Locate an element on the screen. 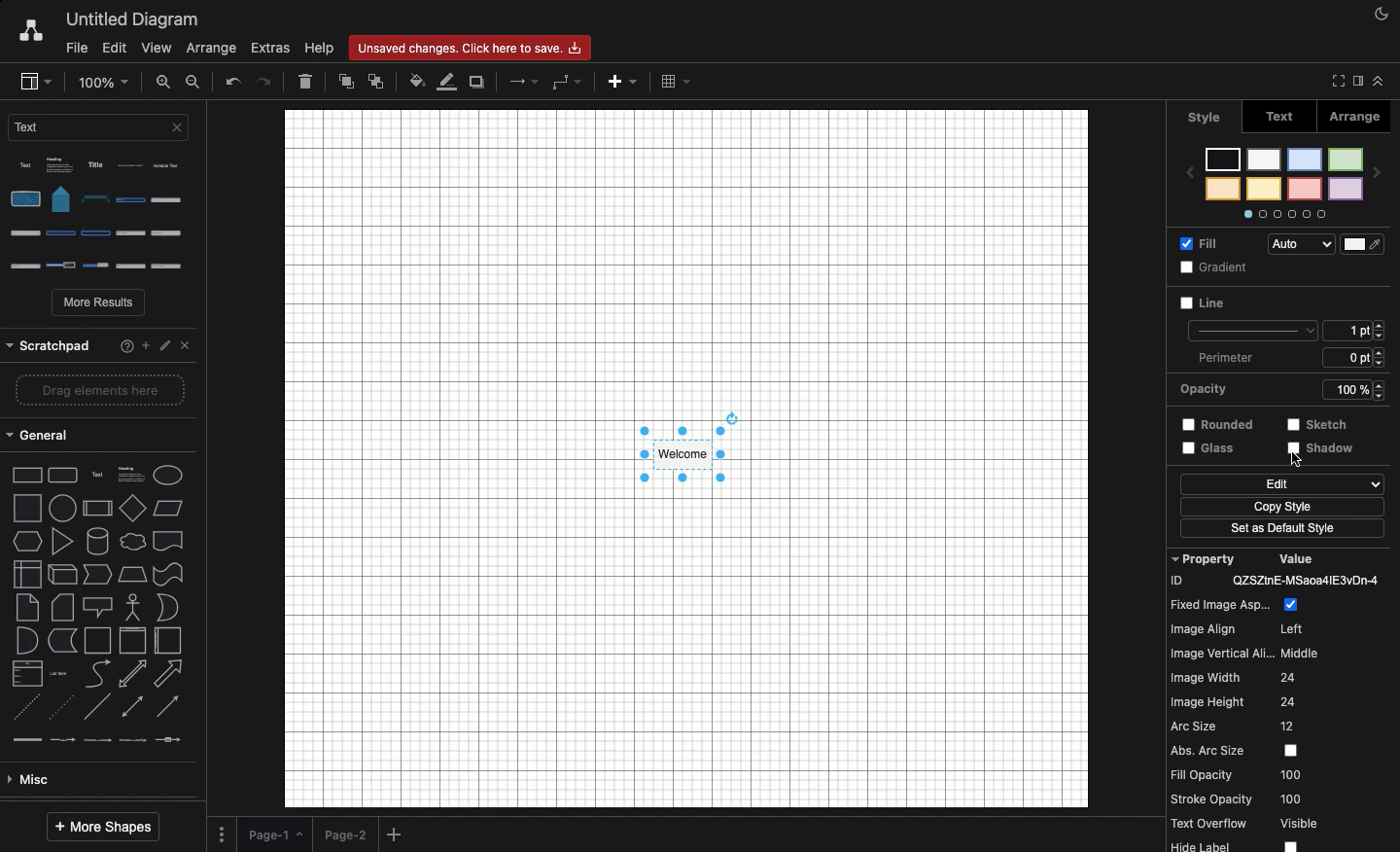 The width and height of the screenshot is (1400, 852). Page 2 is located at coordinates (344, 834).